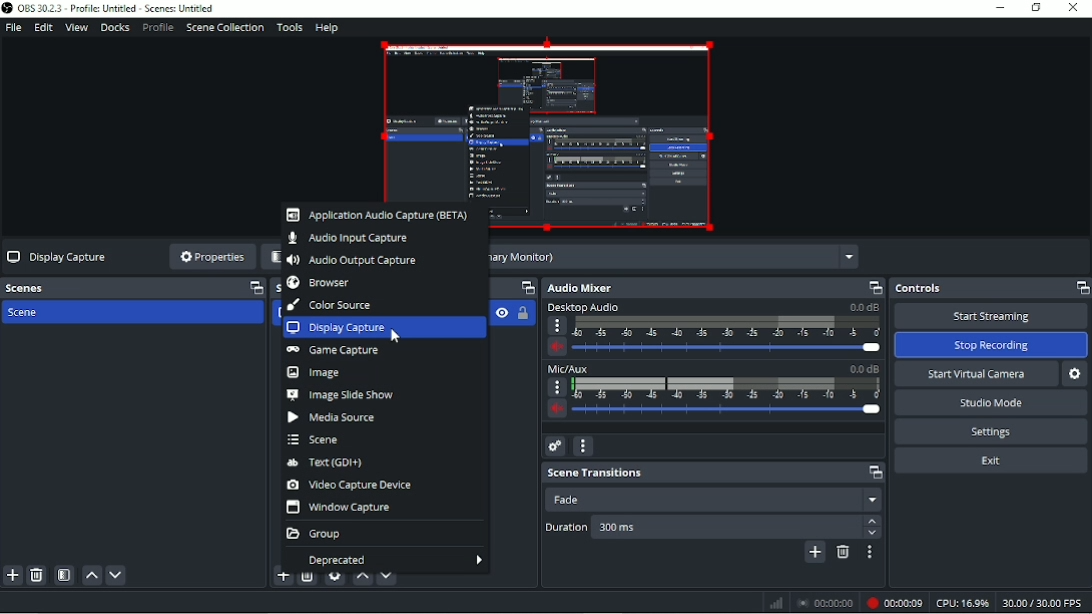 The image size is (1092, 614). What do you see at coordinates (385, 329) in the screenshot?
I see `Display capture` at bounding box center [385, 329].